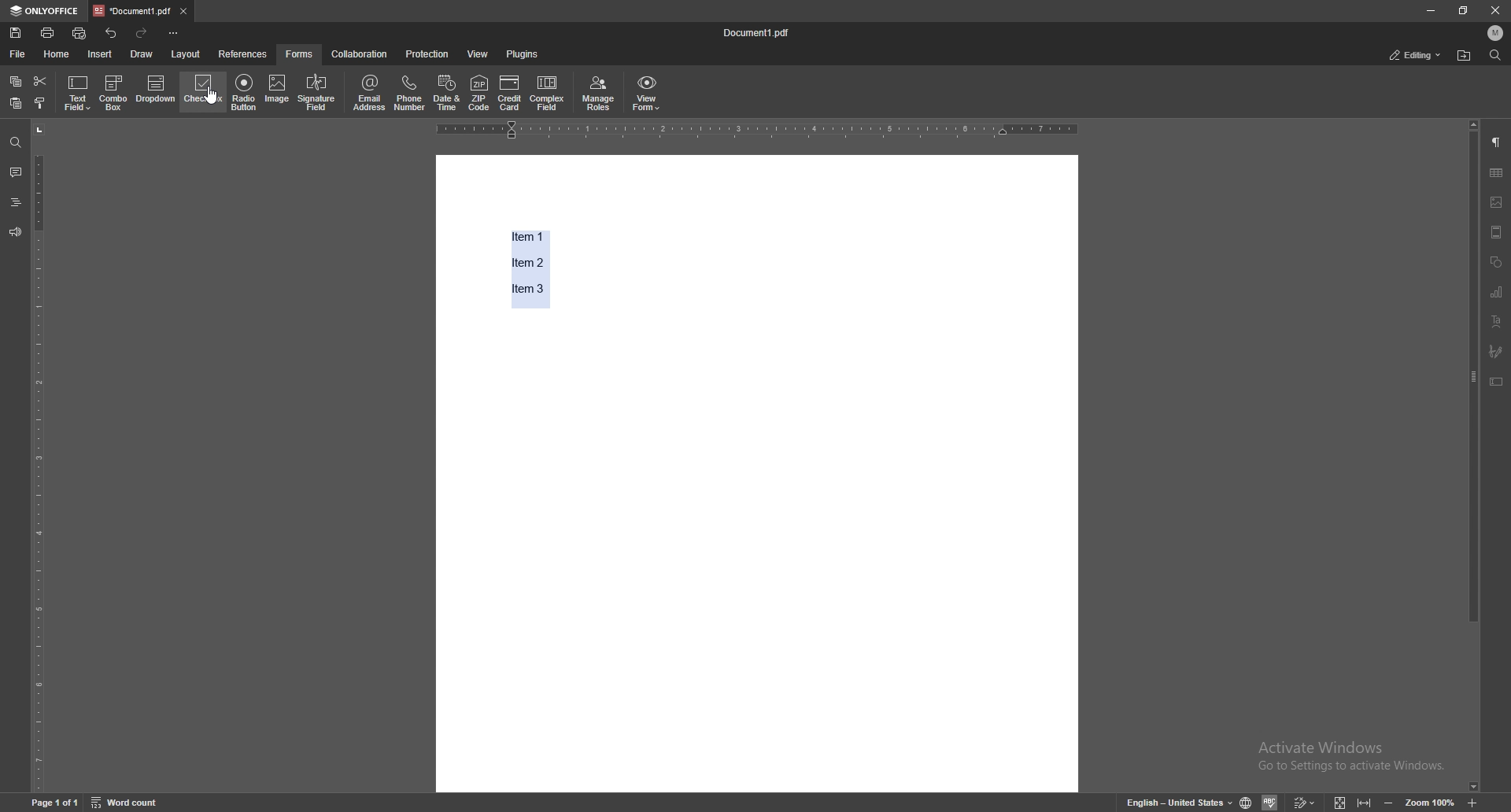 This screenshot has height=812, width=1511. I want to click on home, so click(60, 54).